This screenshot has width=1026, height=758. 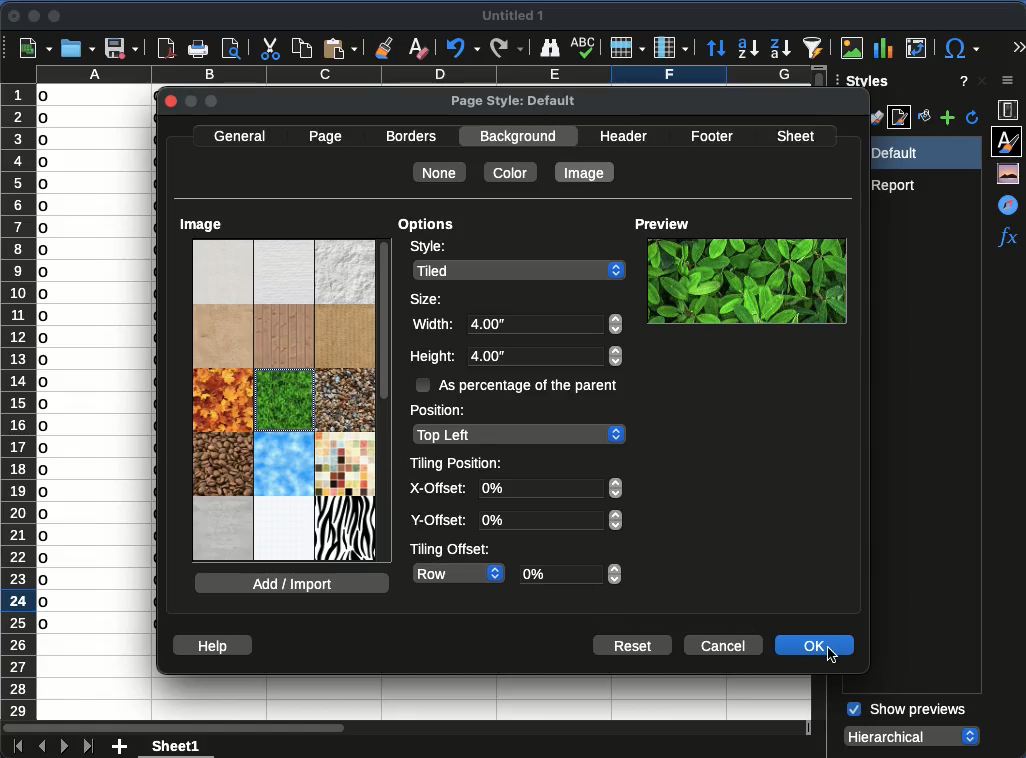 I want to click on add, so click(x=121, y=747).